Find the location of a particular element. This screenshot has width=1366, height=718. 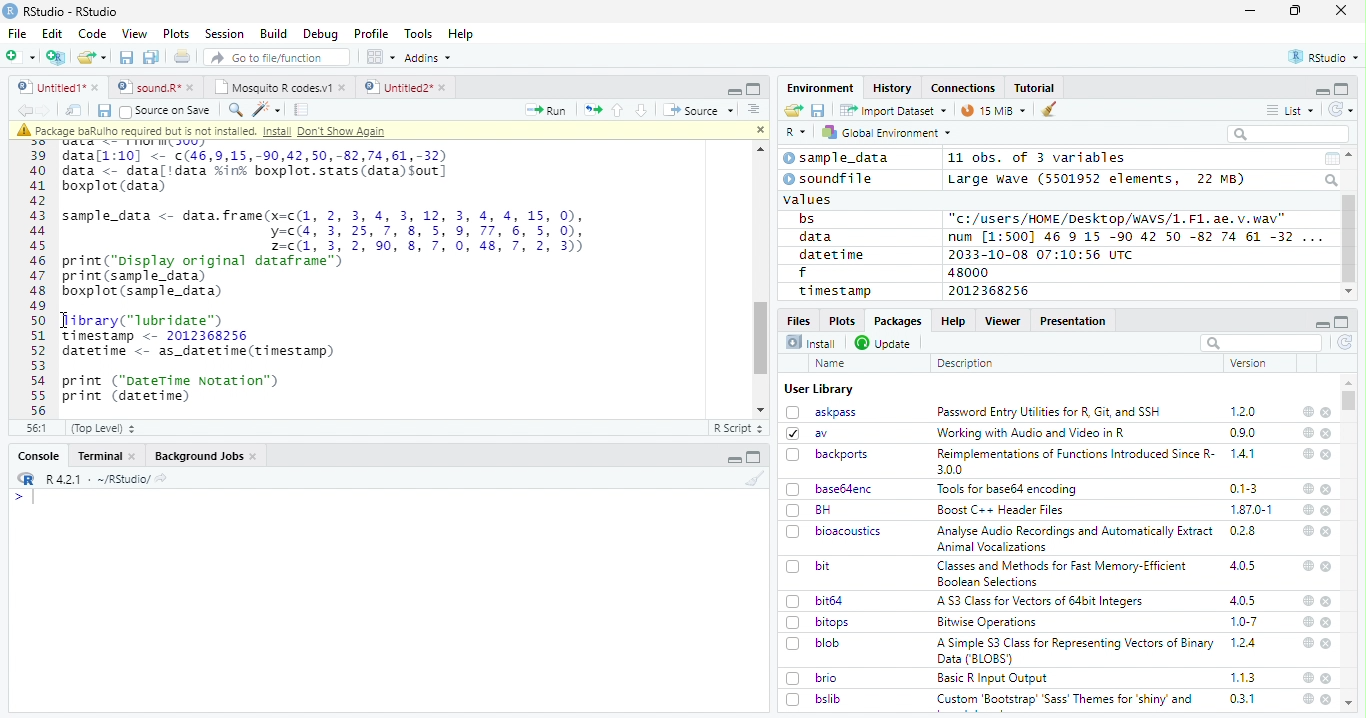

data is located at coordinates (819, 237).